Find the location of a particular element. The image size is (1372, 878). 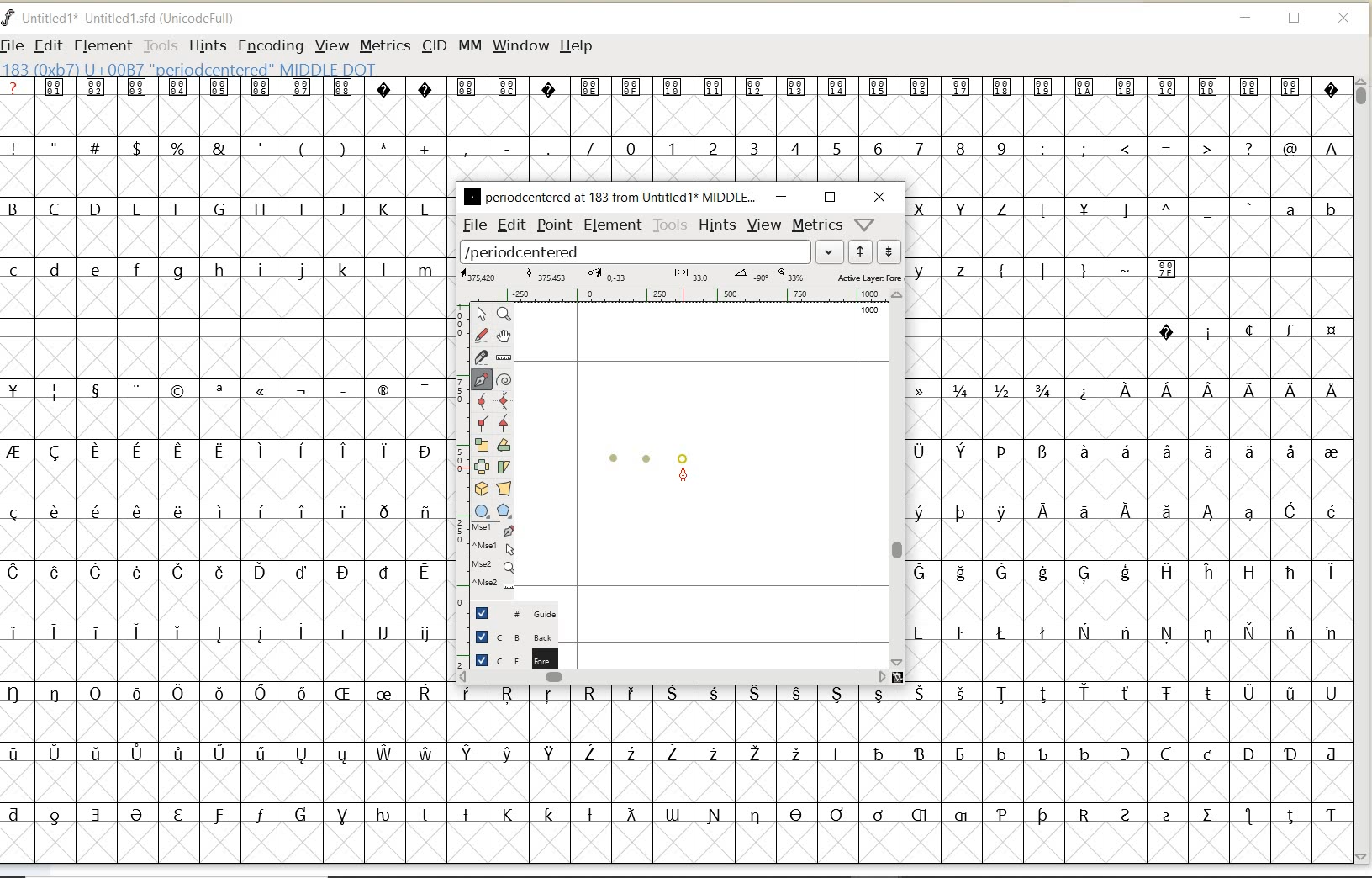

MM is located at coordinates (470, 46).